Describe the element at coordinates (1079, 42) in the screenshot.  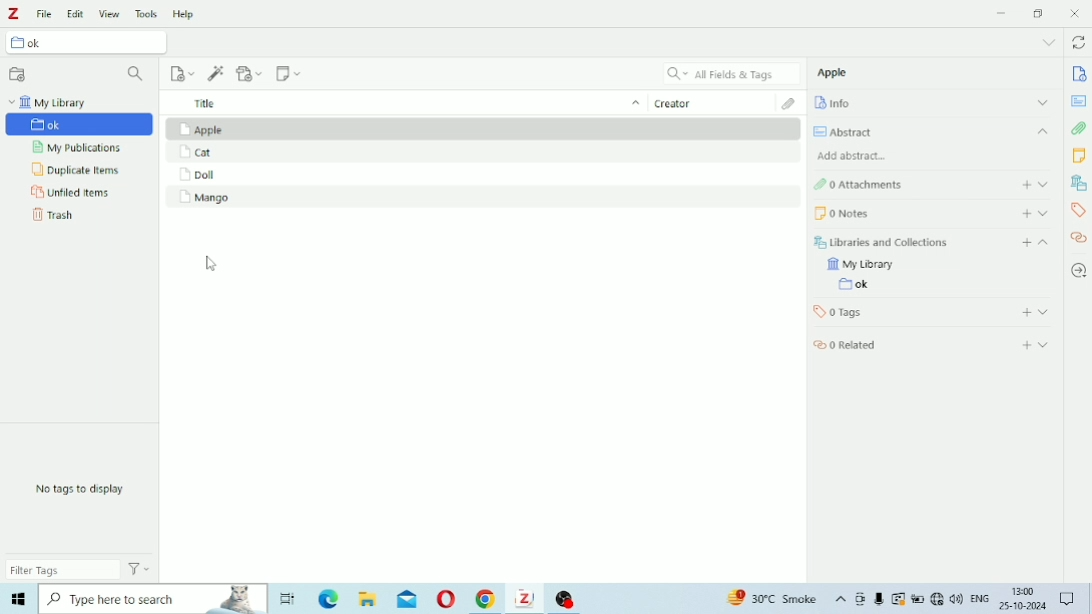
I see `Sync` at that location.